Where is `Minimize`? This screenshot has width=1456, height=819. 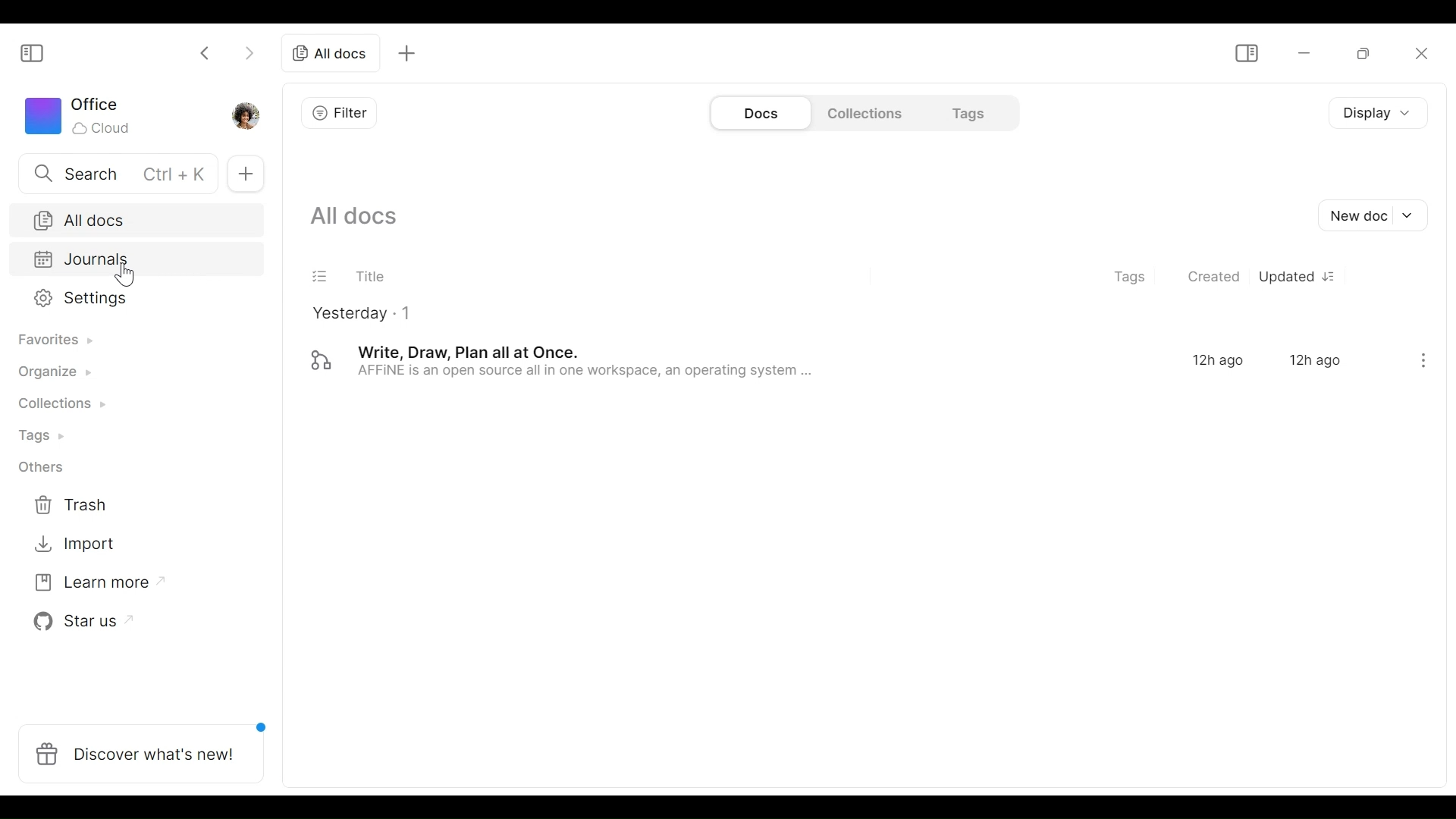
Minimize is located at coordinates (1304, 52).